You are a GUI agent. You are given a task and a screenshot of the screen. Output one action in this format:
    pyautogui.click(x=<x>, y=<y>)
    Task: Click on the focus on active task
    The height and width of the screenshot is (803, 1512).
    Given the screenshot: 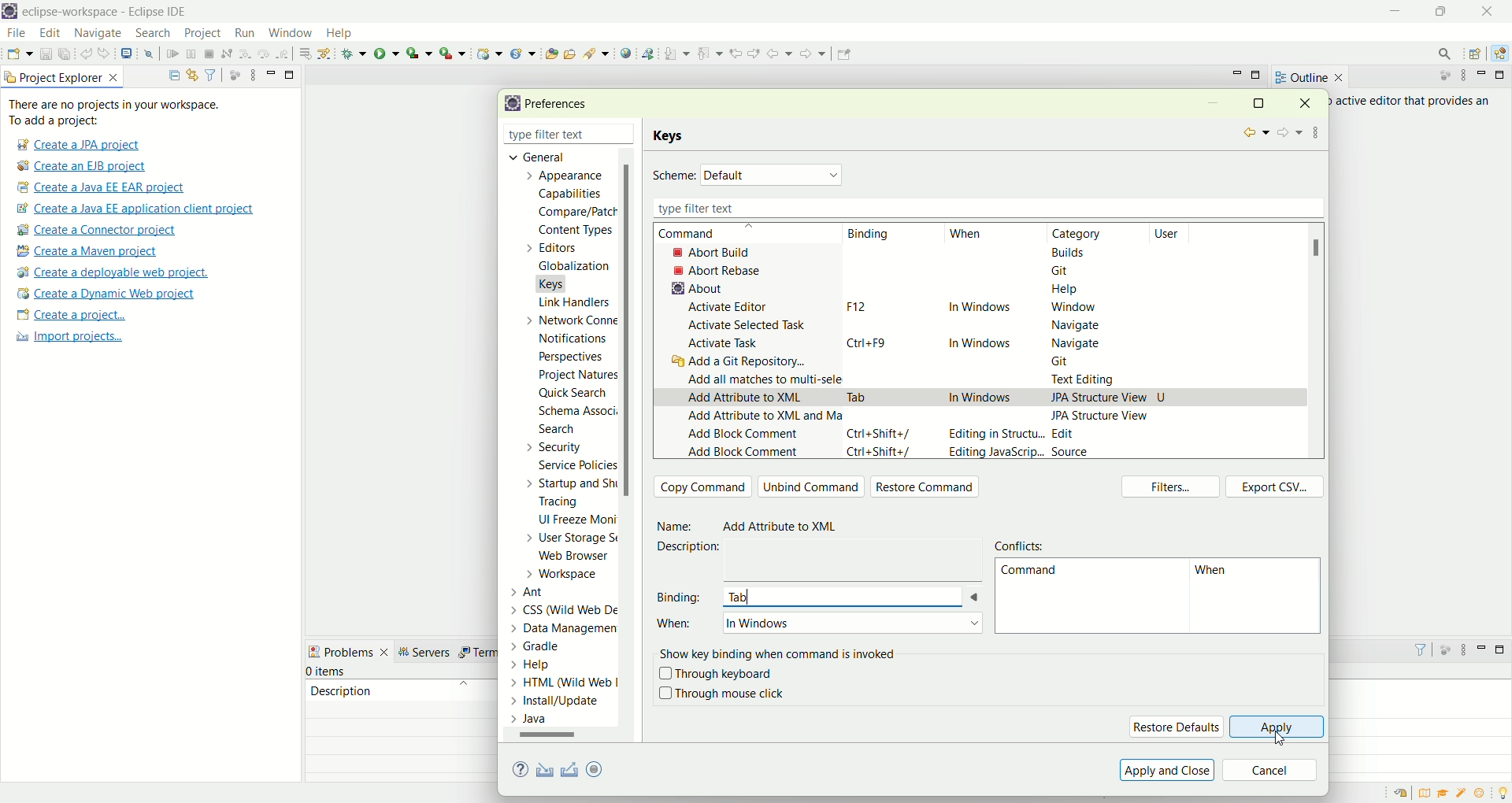 What is the action you would take?
    pyautogui.click(x=1437, y=76)
    